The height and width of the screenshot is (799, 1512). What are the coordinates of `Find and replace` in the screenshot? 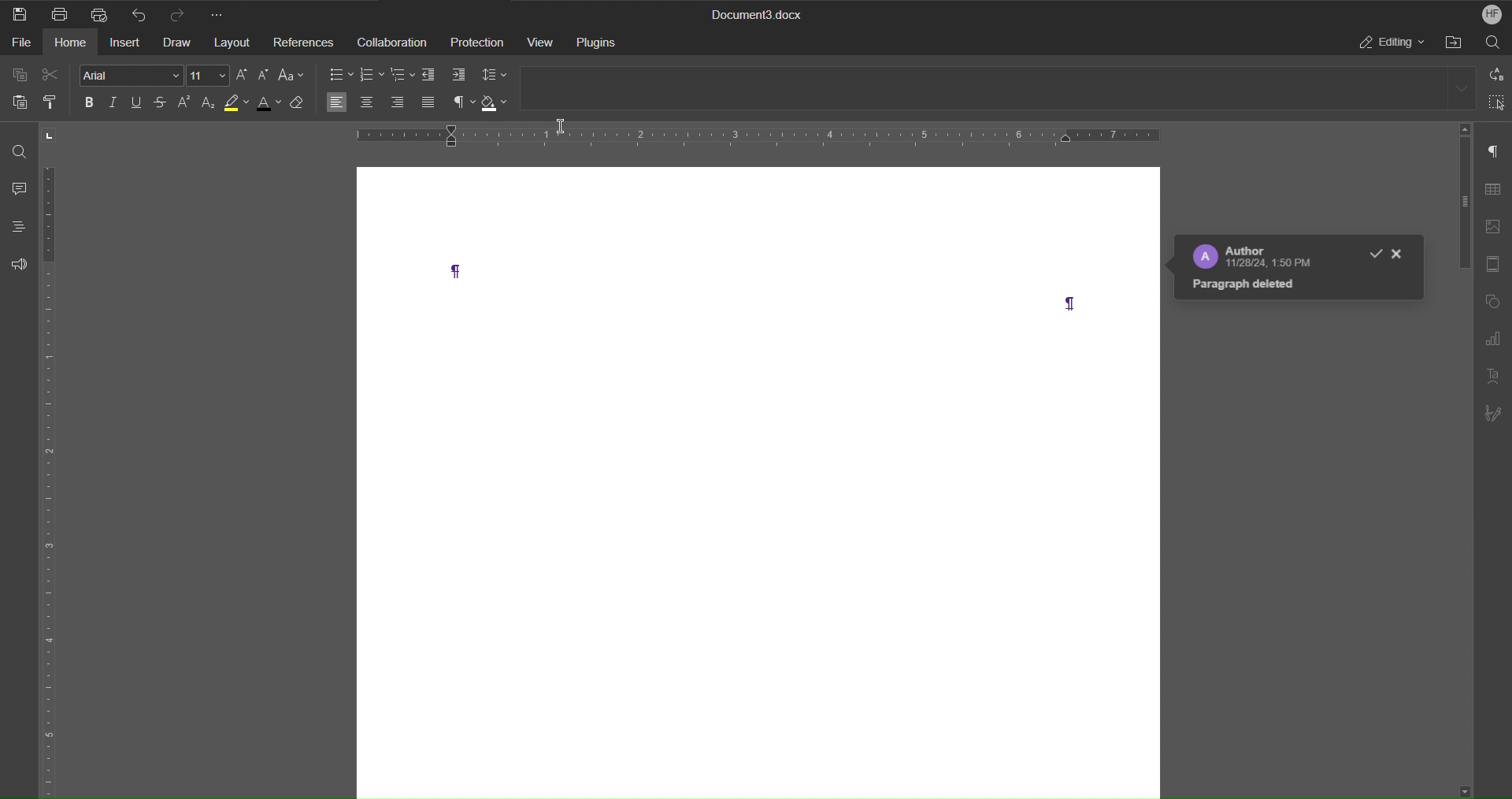 It's located at (1495, 73).